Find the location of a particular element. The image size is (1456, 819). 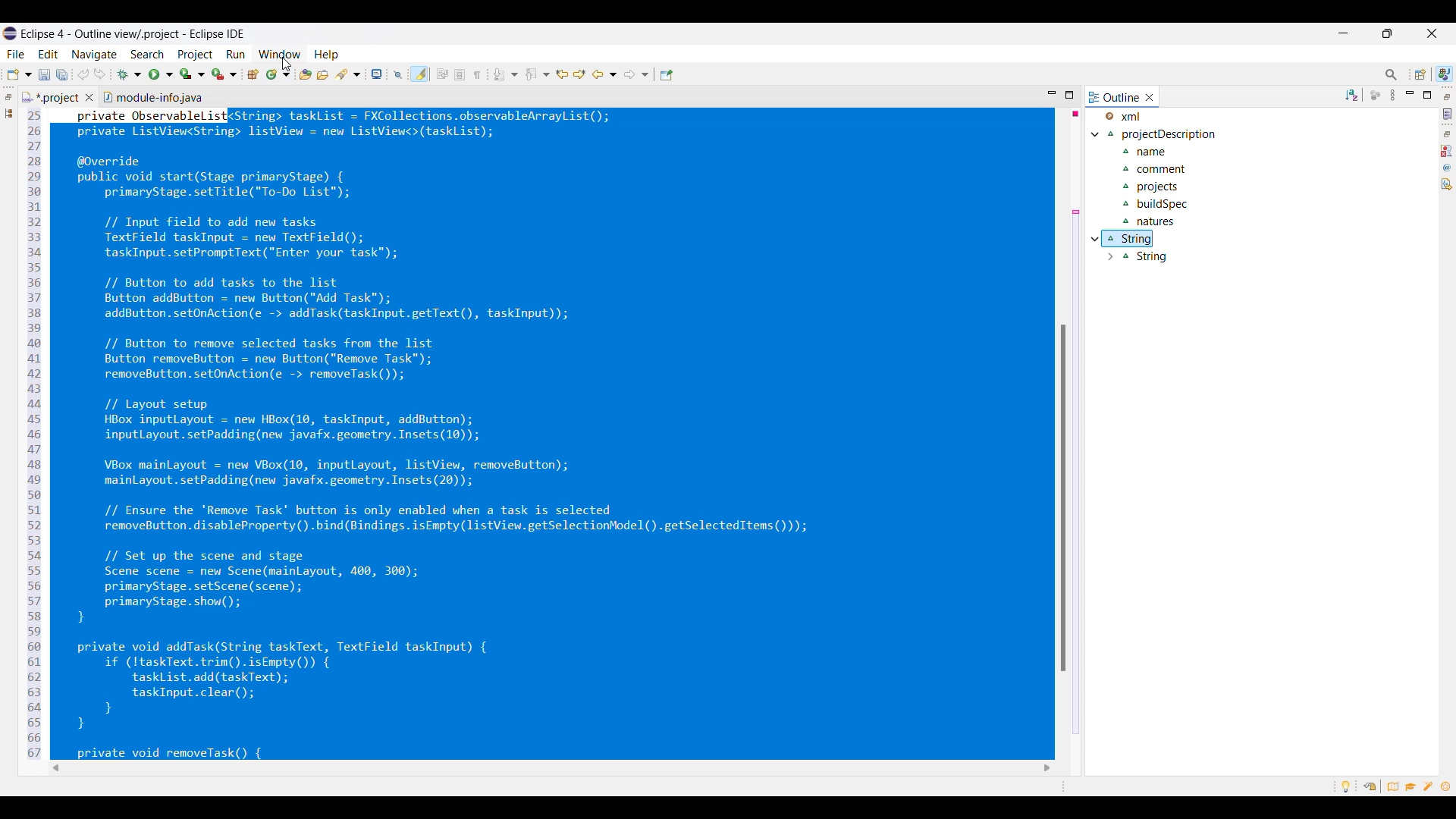

Toggle highlight current  is located at coordinates (419, 74).